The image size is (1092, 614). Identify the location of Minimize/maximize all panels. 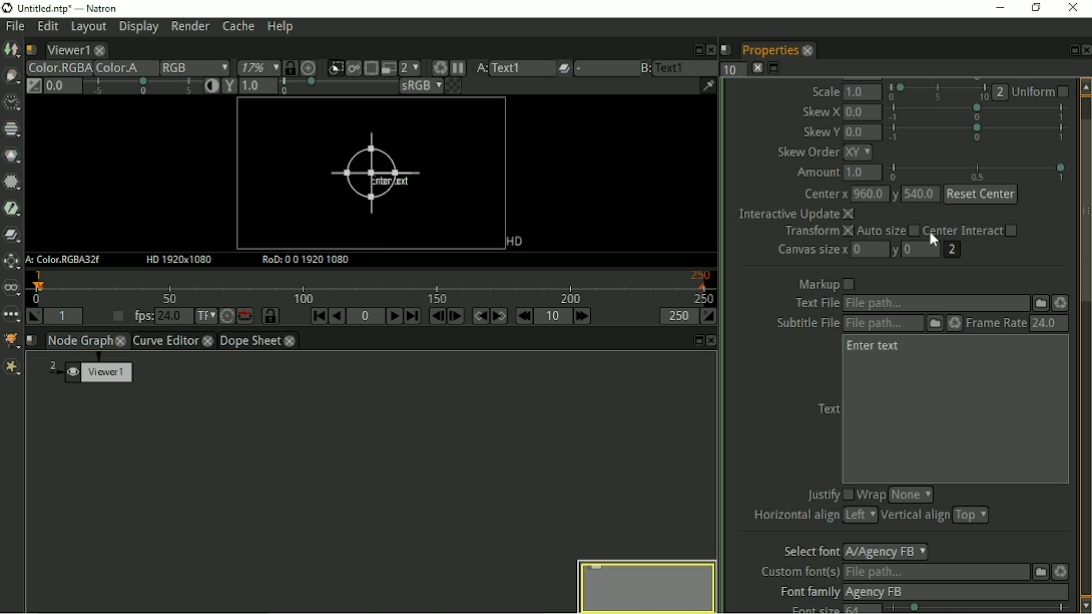
(776, 68).